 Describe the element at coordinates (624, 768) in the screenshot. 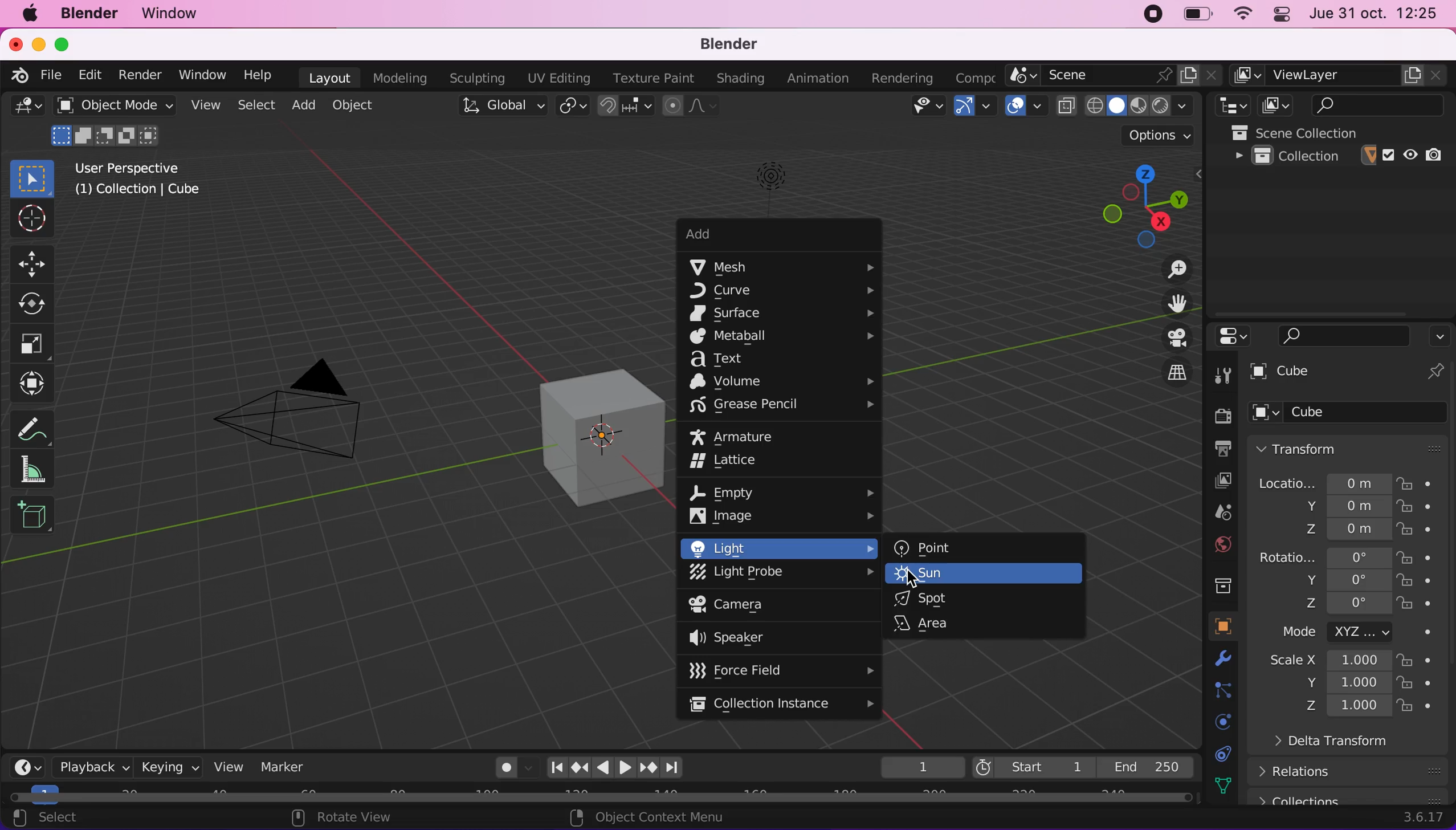

I see `Play animation` at that location.